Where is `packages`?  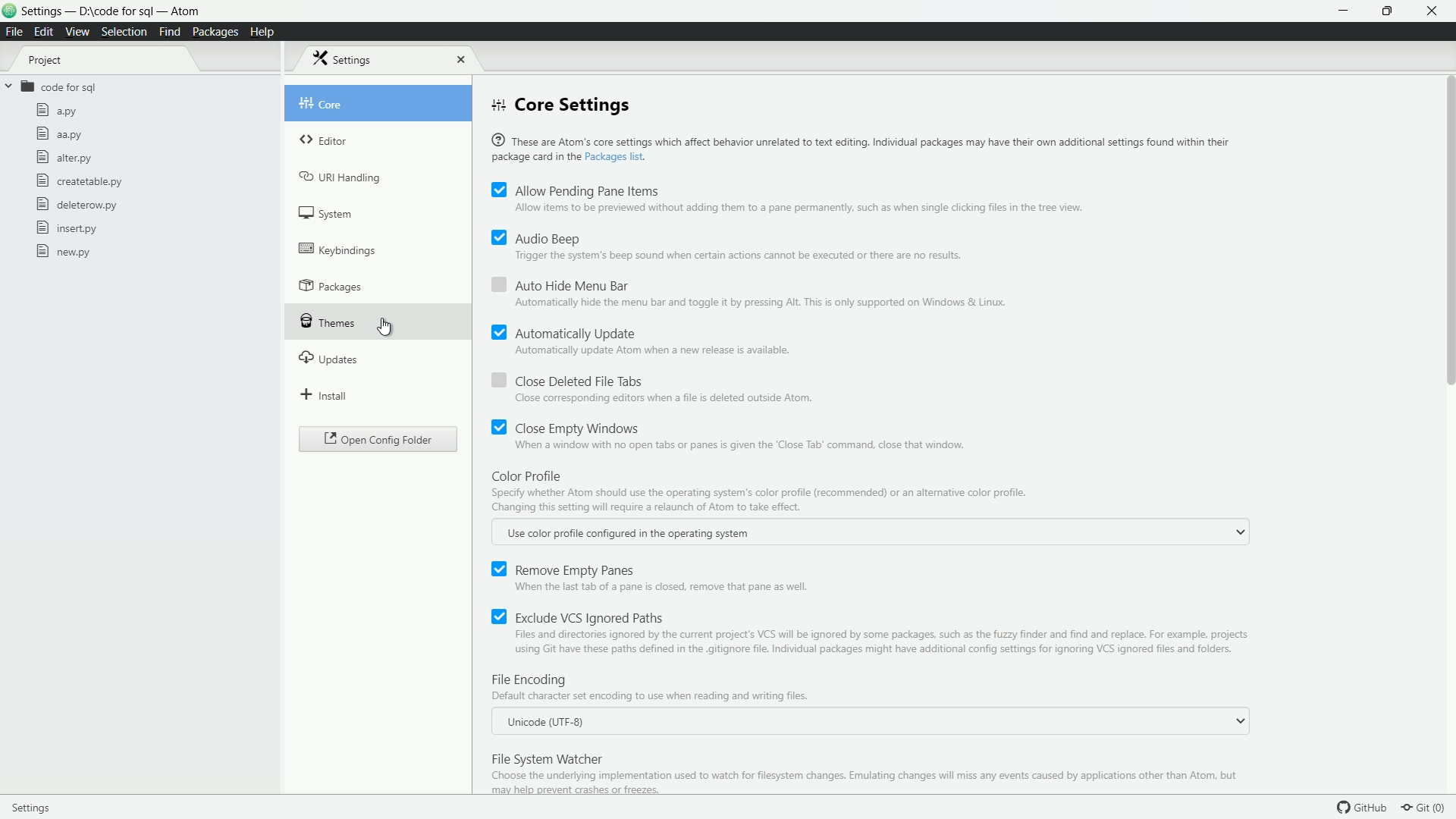
packages is located at coordinates (331, 286).